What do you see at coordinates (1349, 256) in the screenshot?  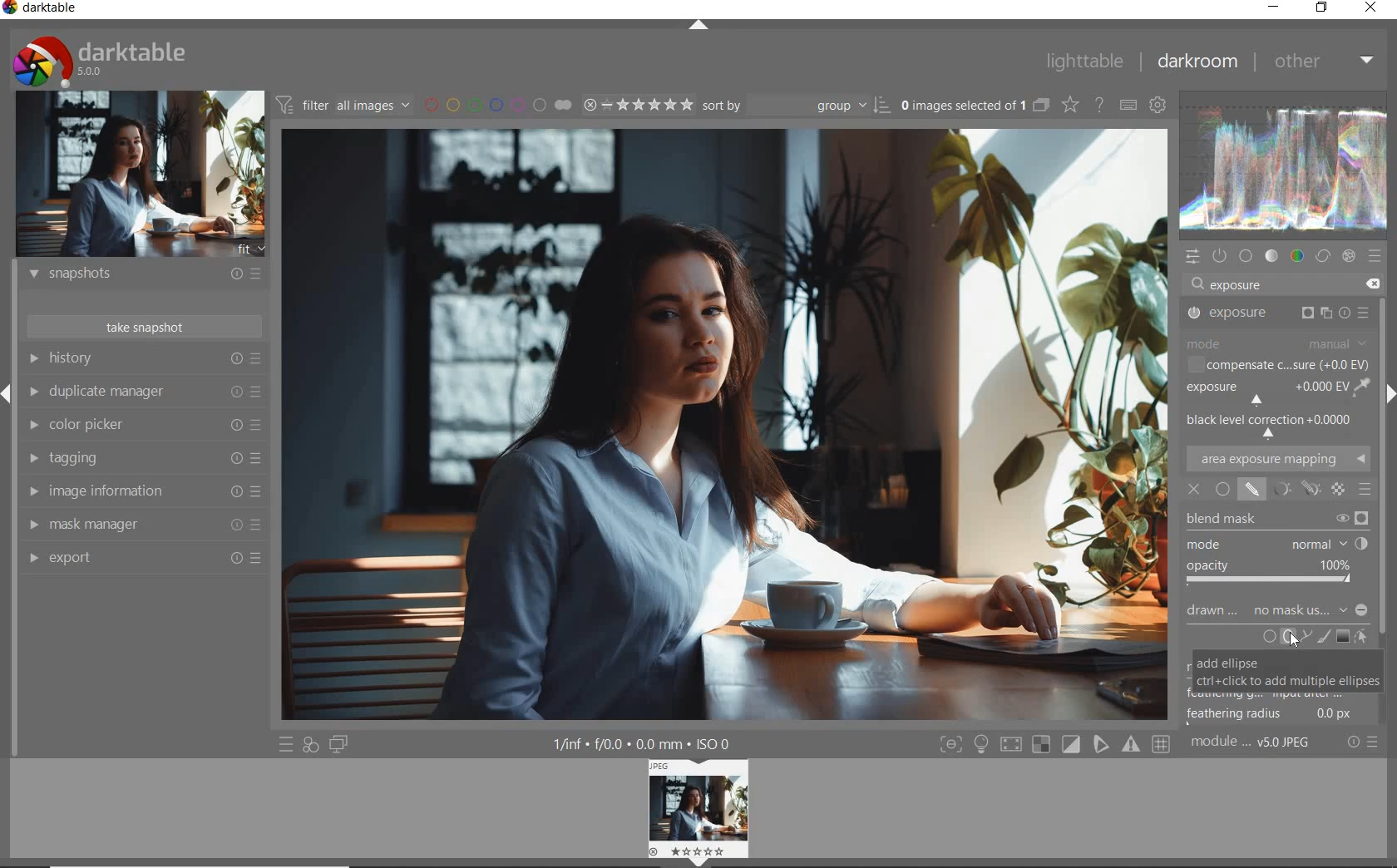 I see `effect` at bounding box center [1349, 256].